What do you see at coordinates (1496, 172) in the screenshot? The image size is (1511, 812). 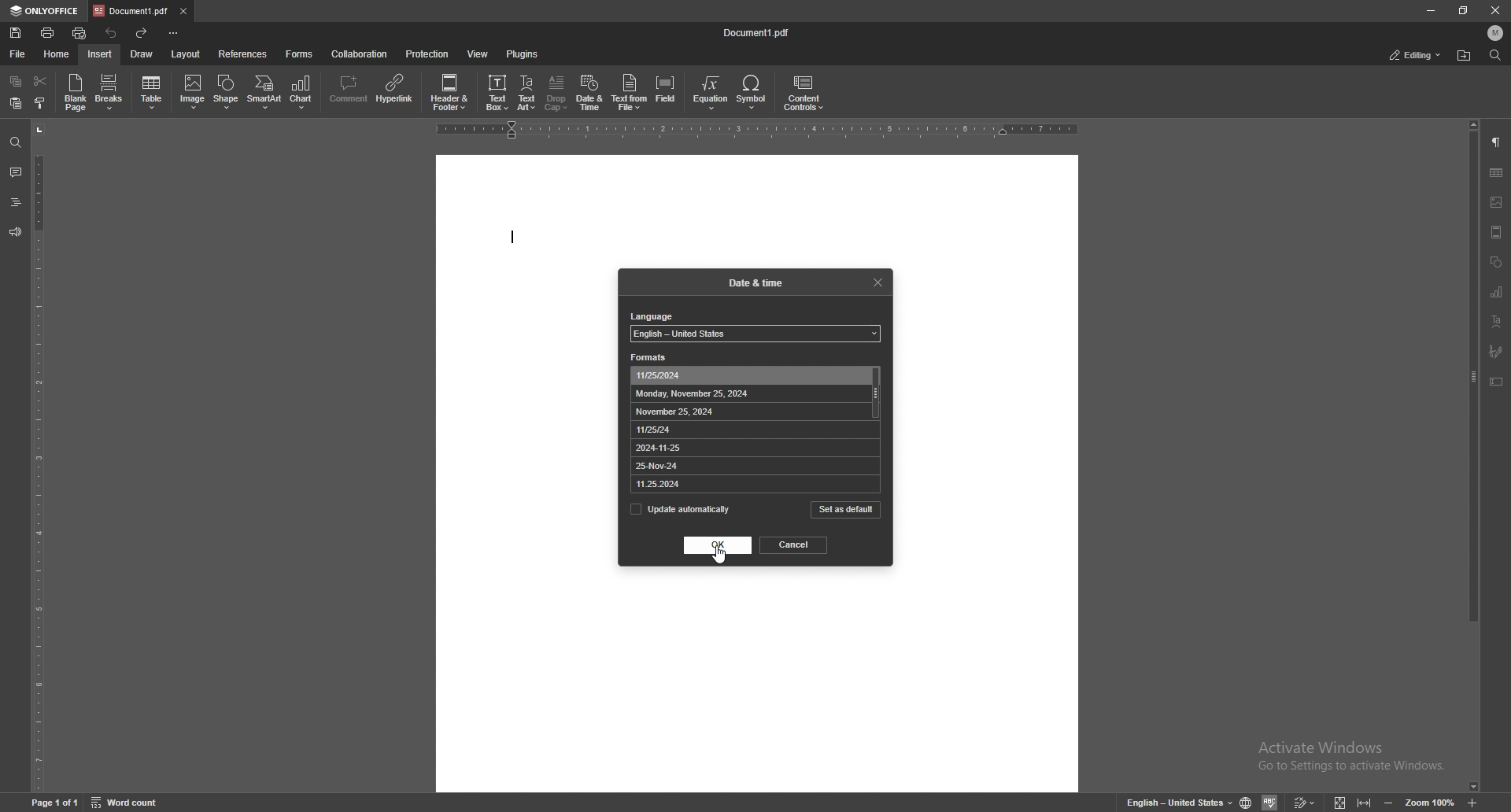 I see `tables` at bounding box center [1496, 172].